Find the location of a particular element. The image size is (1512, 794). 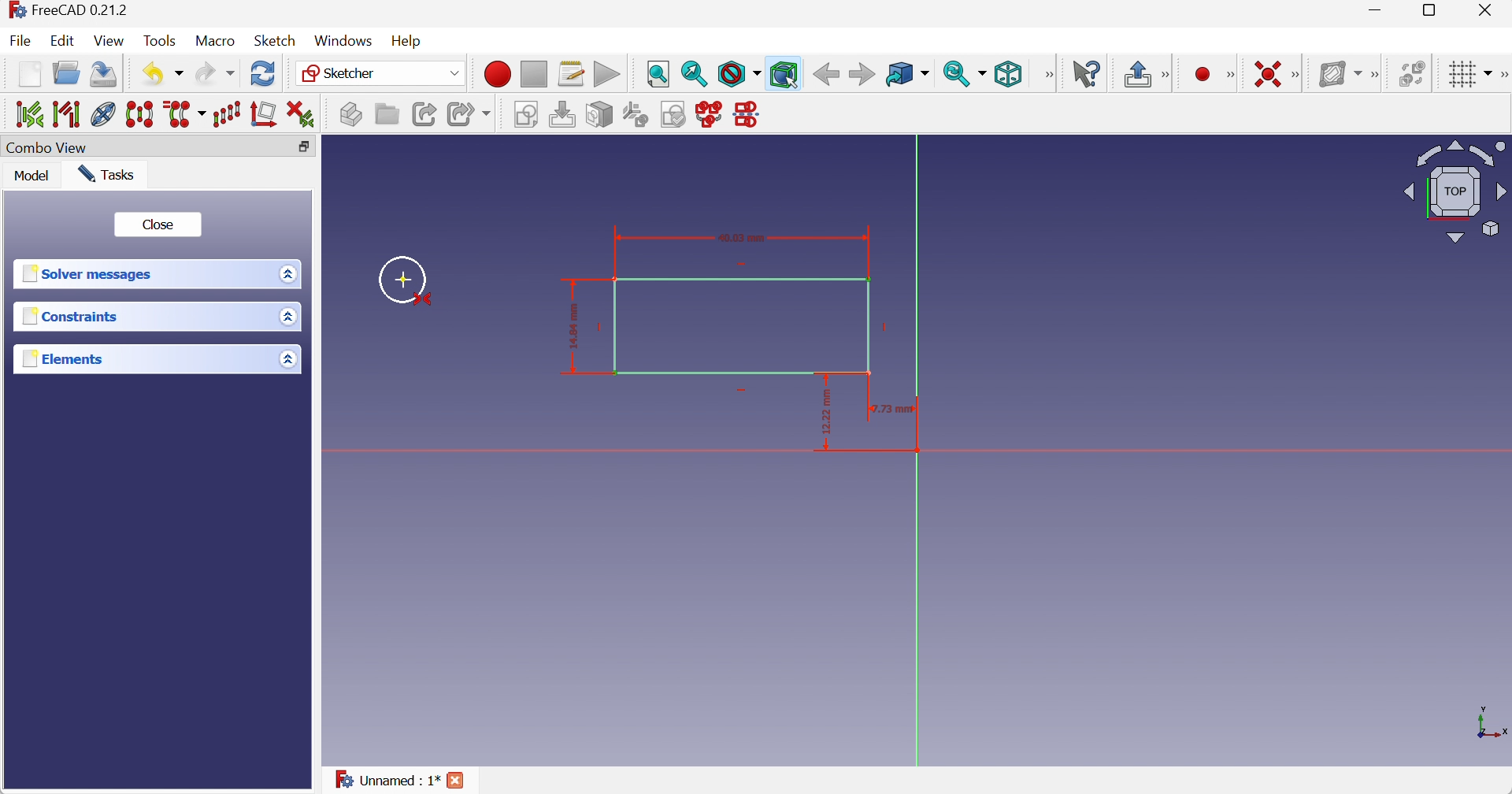

Solver messages is located at coordinates (90, 273).